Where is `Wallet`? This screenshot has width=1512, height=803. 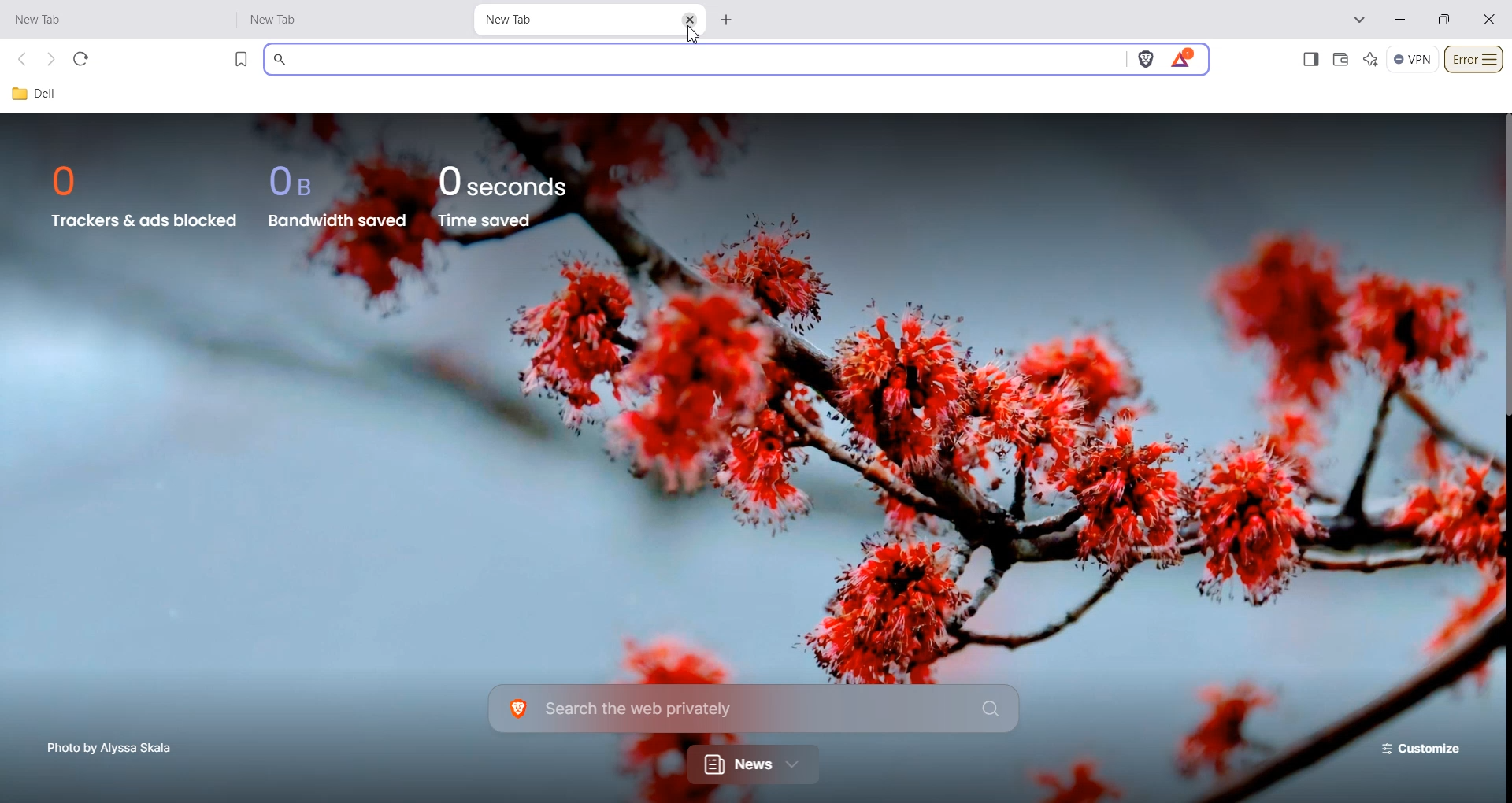
Wallet is located at coordinates (1340, 59).